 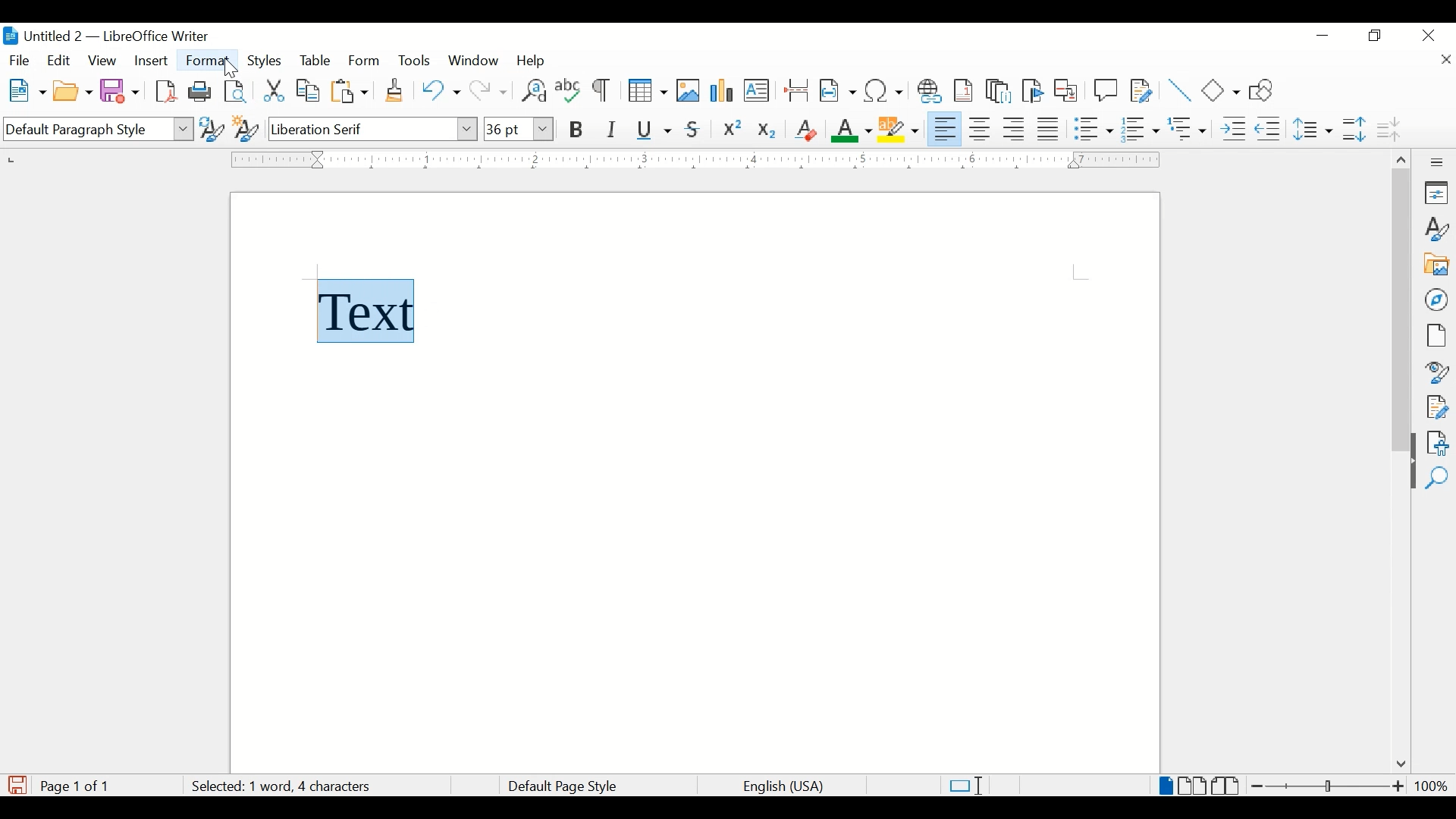 I want to click on save , so click(x=121, y=90).